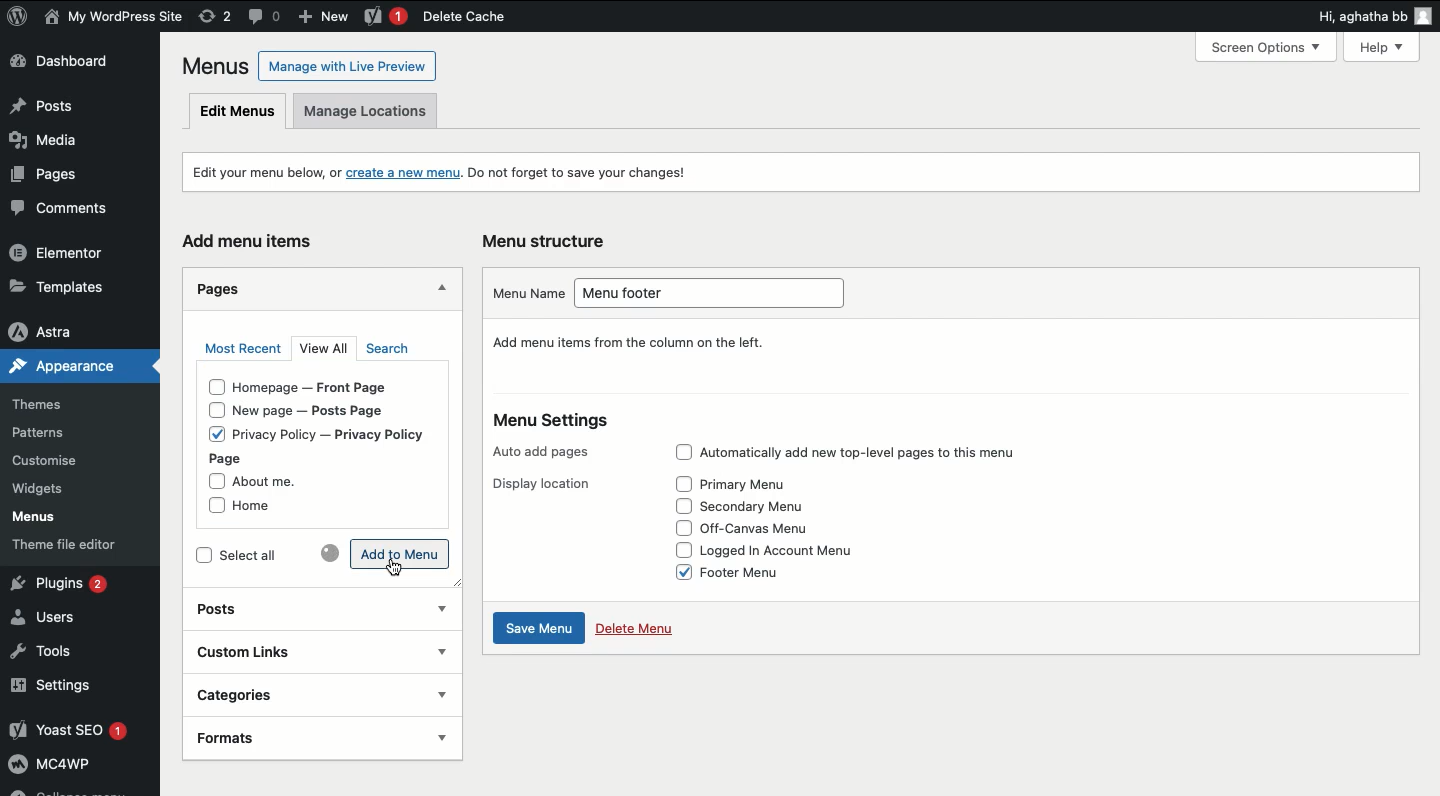 The image size is (1440, 796). Describe the element at coordinates (265, 15) in the screenshot. I see `Comment` at that location.